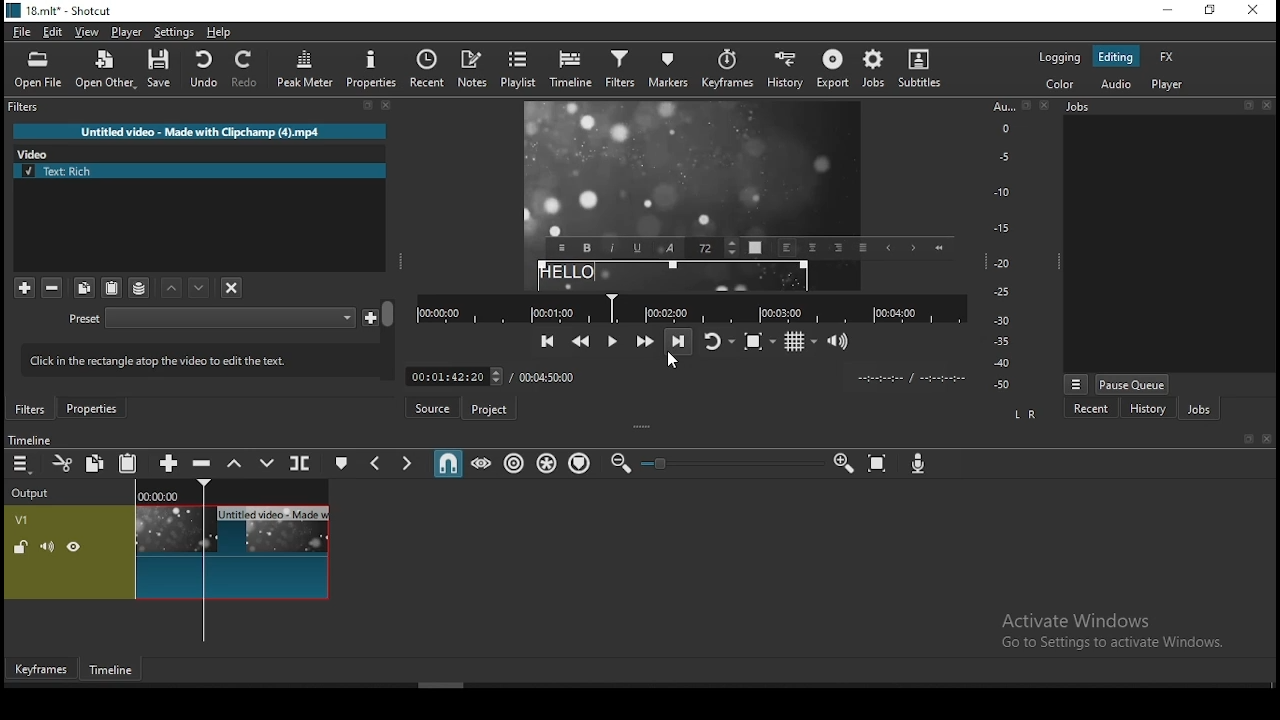  Describe the element at coordinates (95, 462) in the screenshot. I see `copy` at that location.